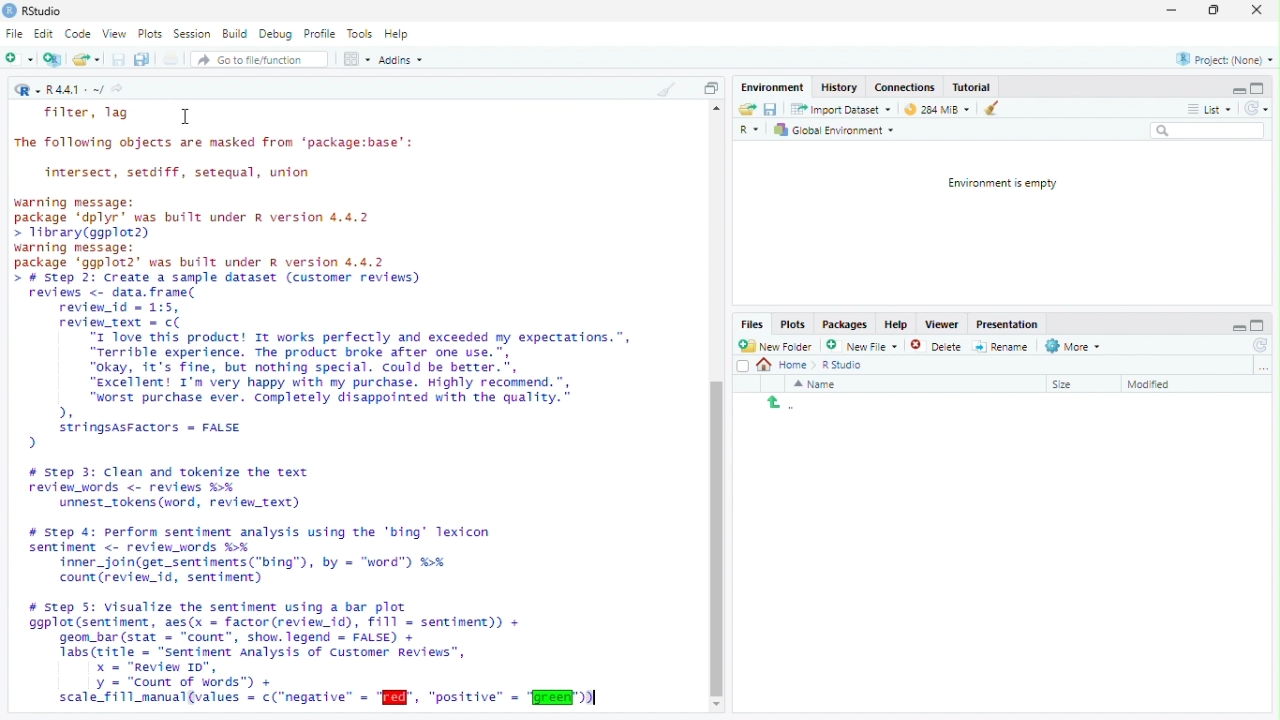 This screenshot has height=720, width=1280. I want to click on More, so click(1075, 347).